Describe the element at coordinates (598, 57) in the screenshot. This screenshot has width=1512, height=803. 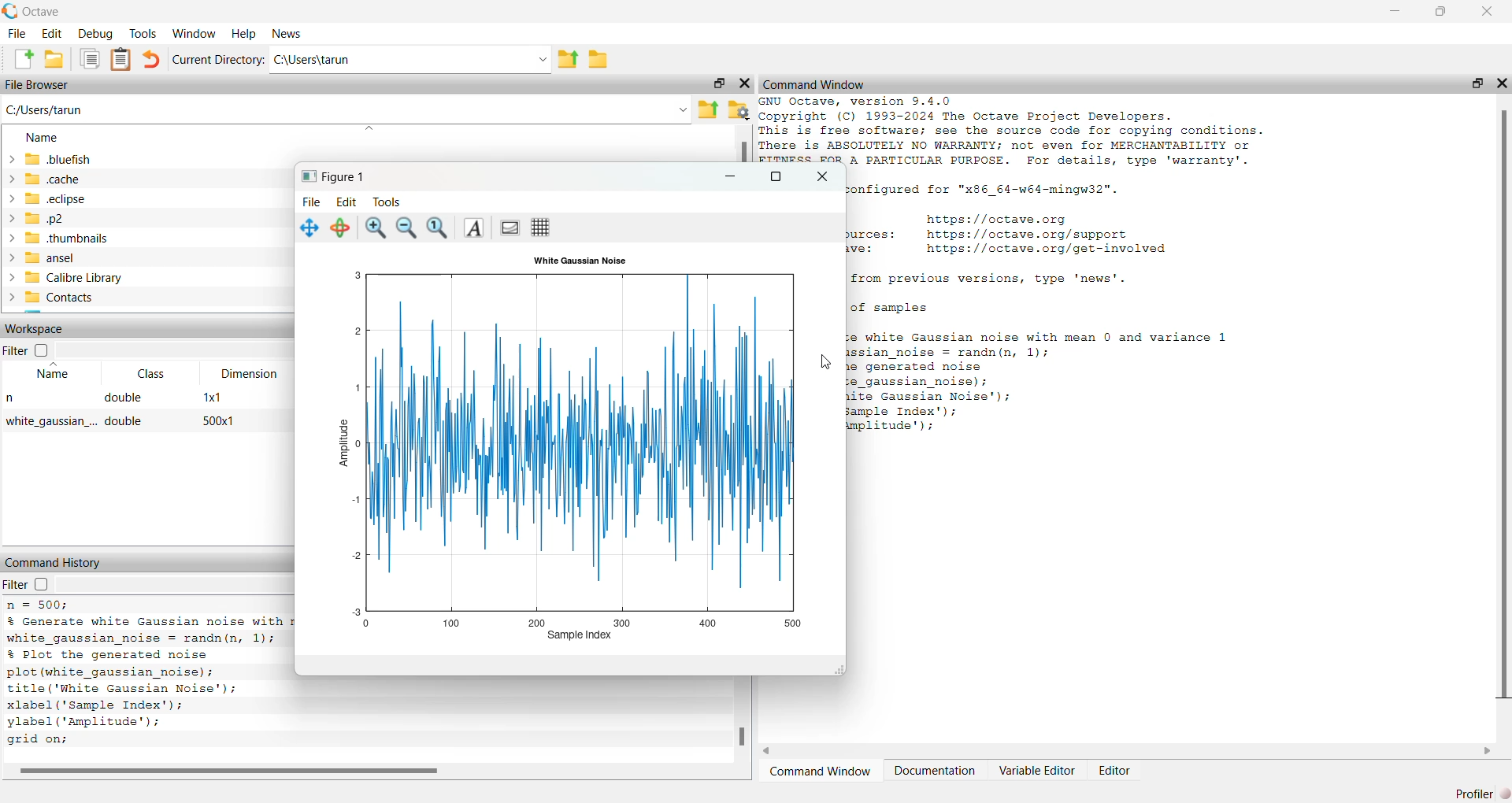
I see `folder` at that location.